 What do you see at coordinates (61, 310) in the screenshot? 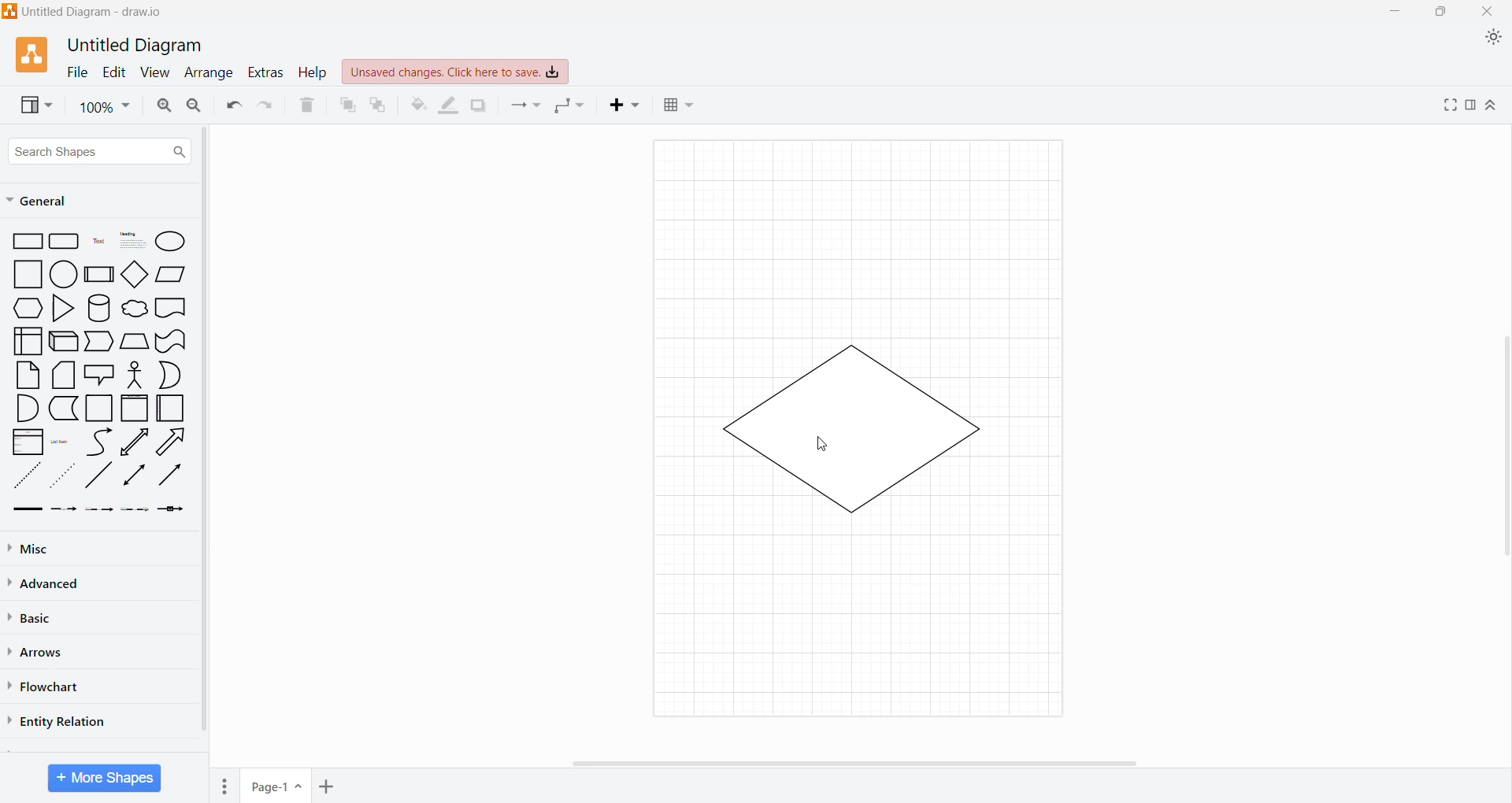
I see `Triangle` at bounding box center [61, 310].